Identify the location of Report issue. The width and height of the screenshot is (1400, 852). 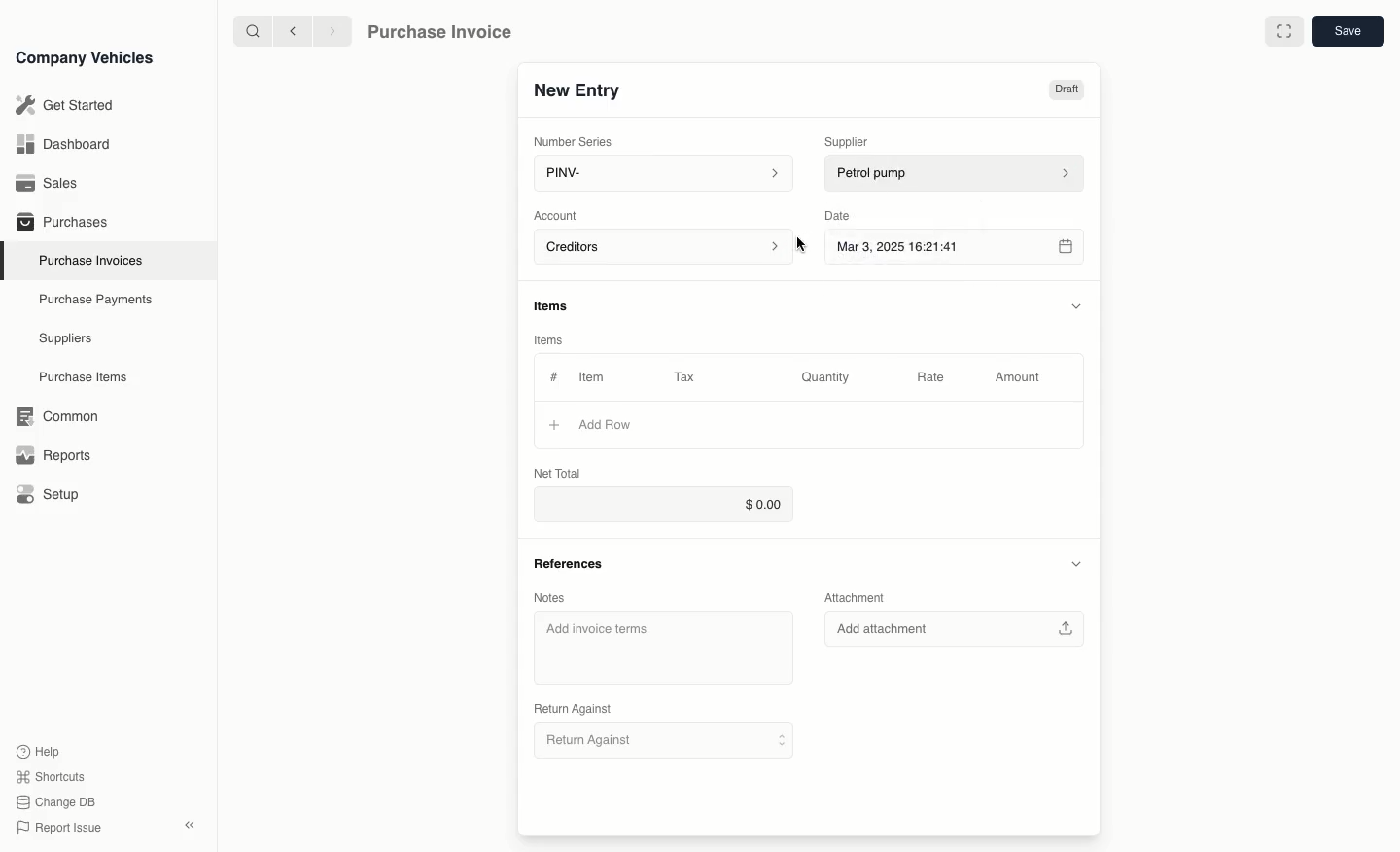
(62, 829).